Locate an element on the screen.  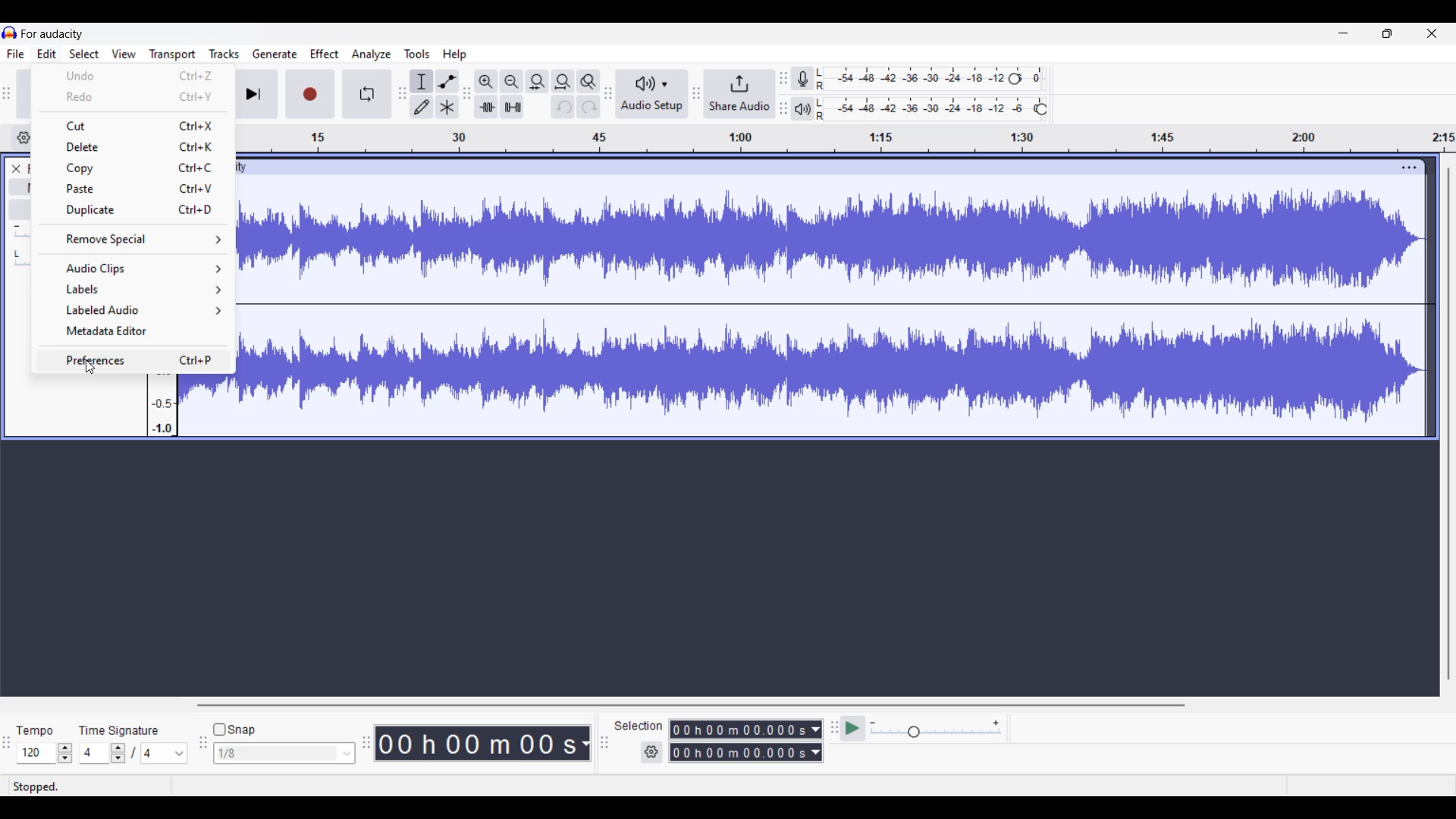
Playback level is located at coordinates (923, 109).